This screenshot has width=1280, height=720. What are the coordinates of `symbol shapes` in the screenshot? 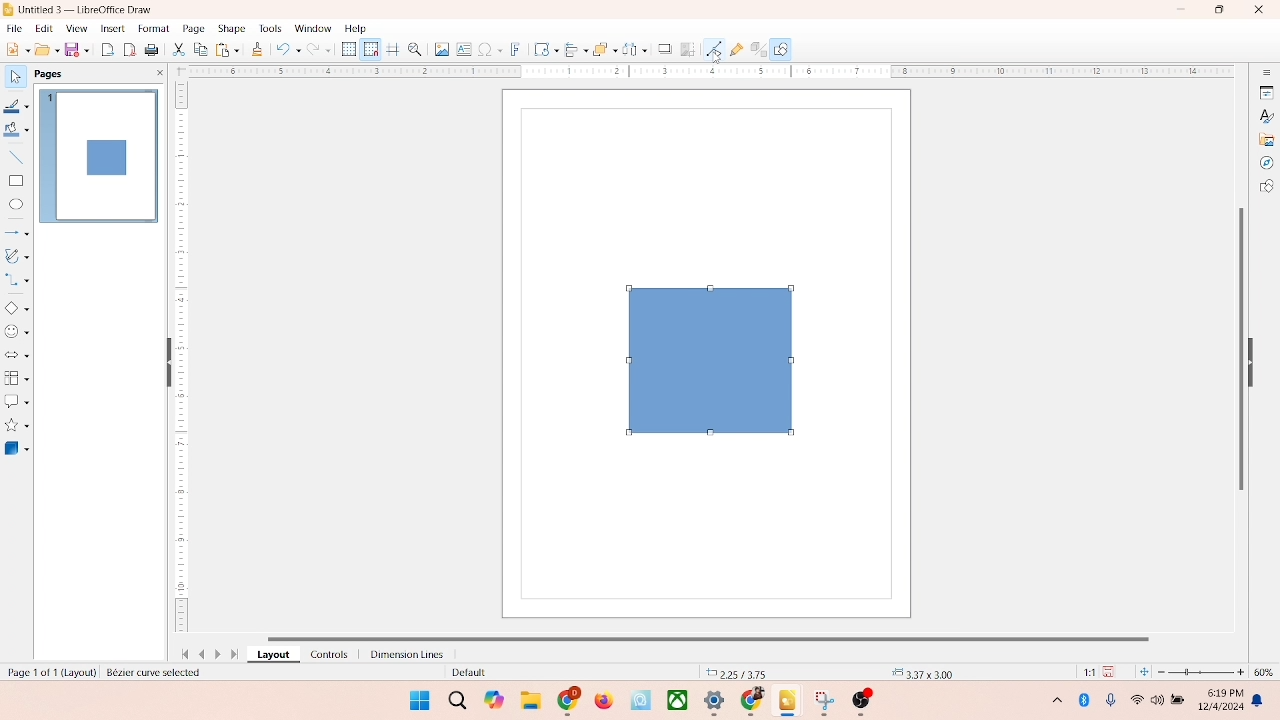 It's located at (17, 332).